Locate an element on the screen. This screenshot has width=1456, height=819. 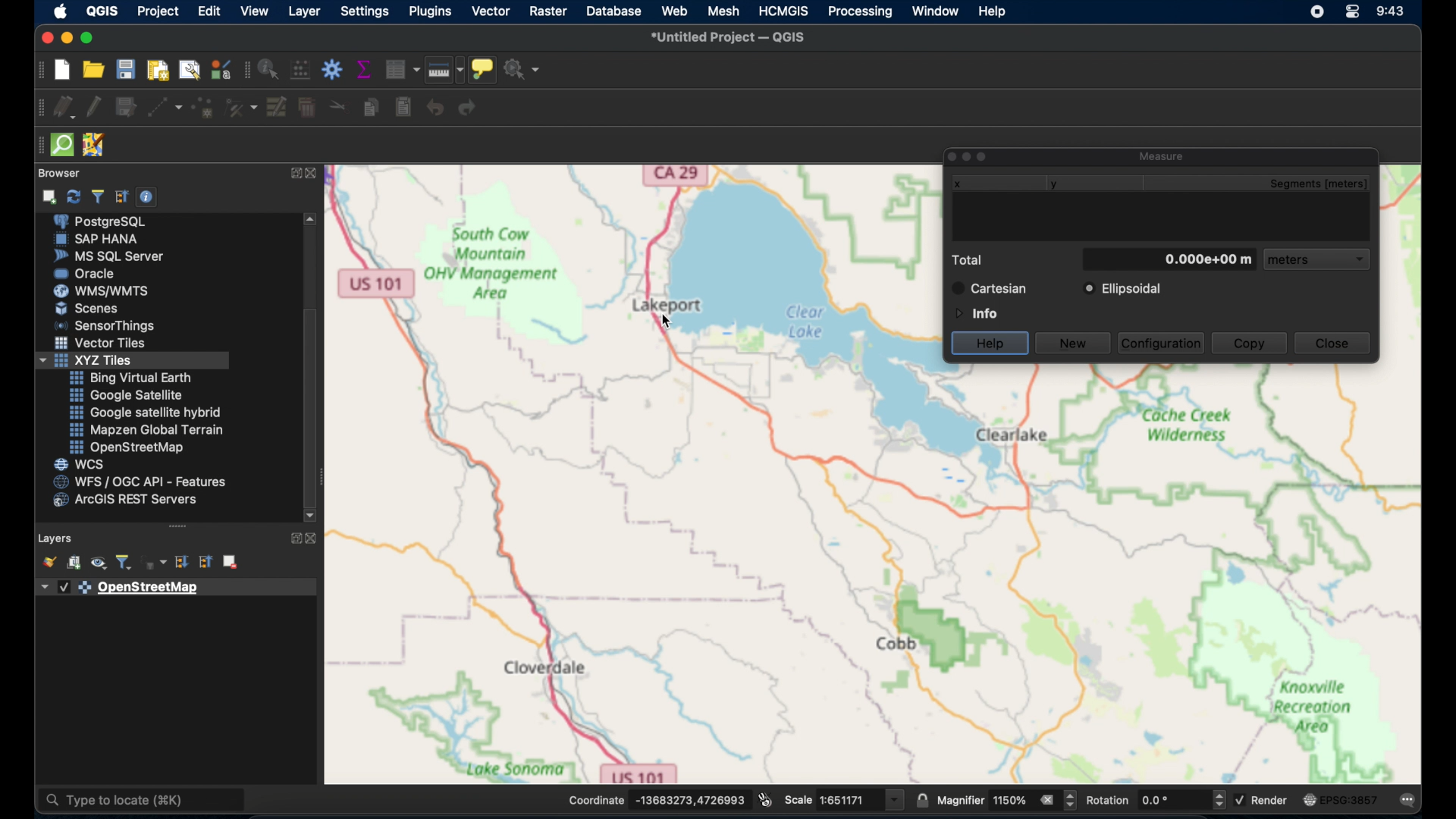
apple icon is located at coordinates (61, 11).